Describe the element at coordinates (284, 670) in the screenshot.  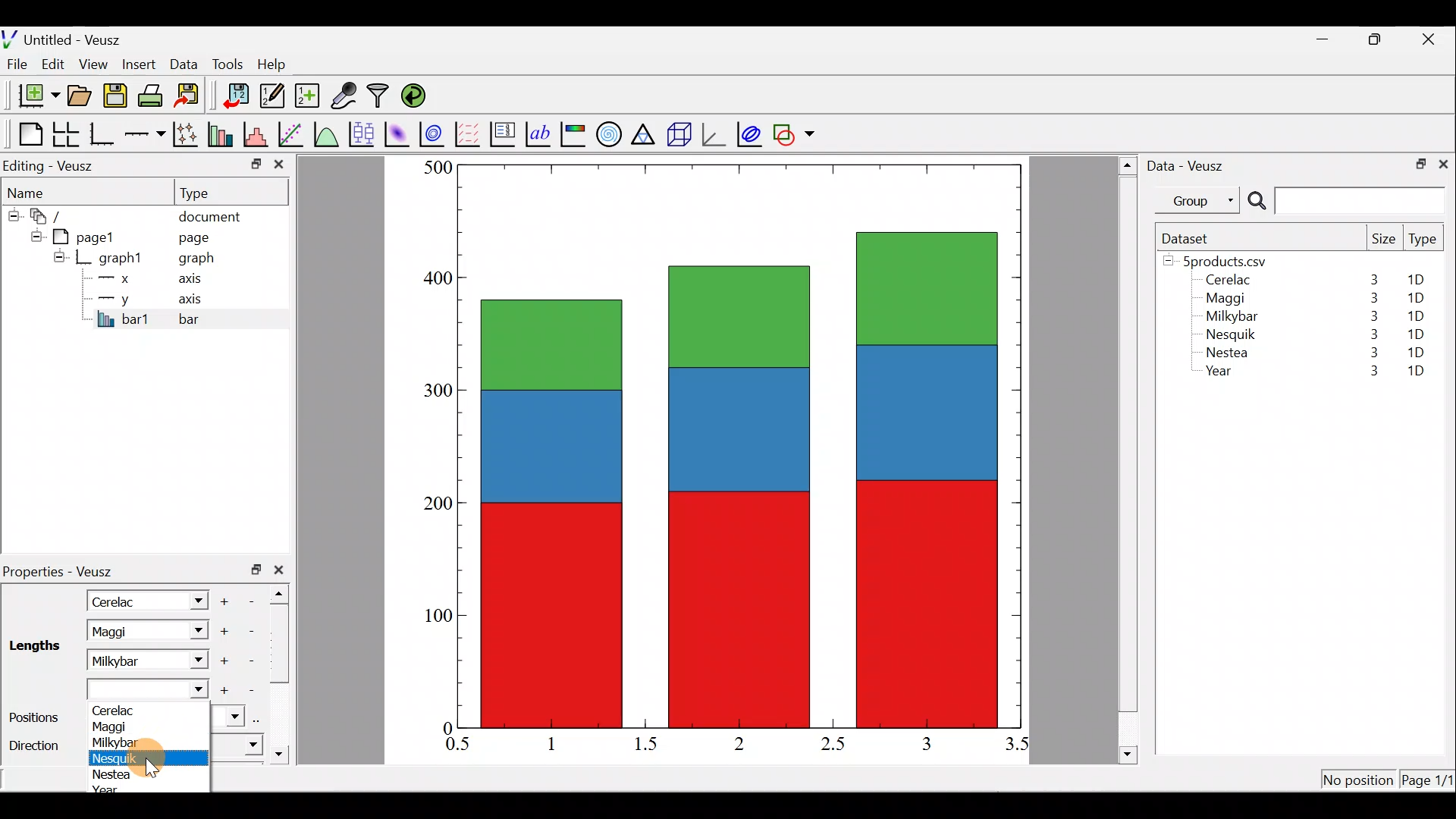
I see `scroll bar` at that location.